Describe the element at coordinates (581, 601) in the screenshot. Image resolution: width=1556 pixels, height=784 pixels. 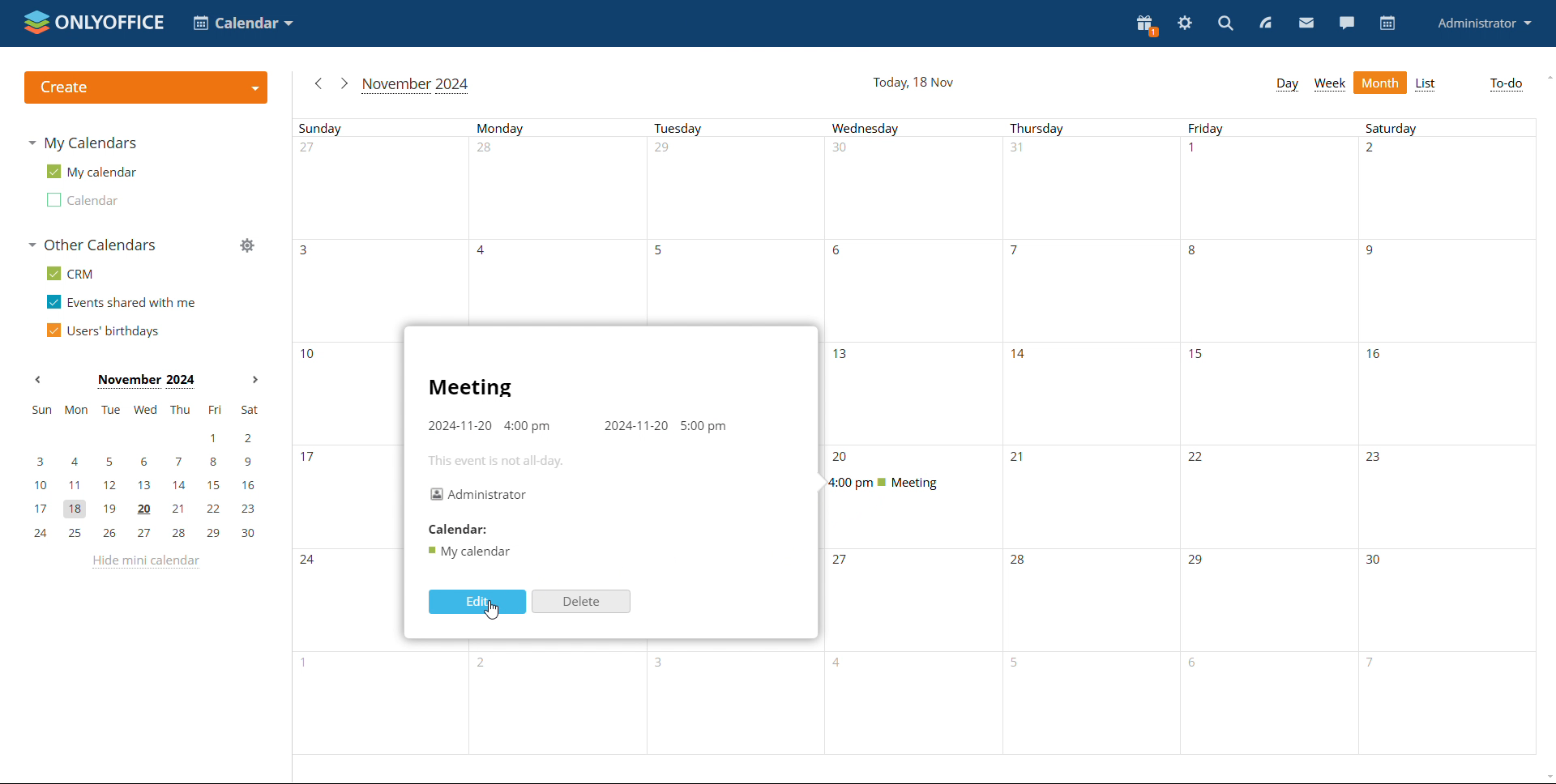
I see `delete` at that location.